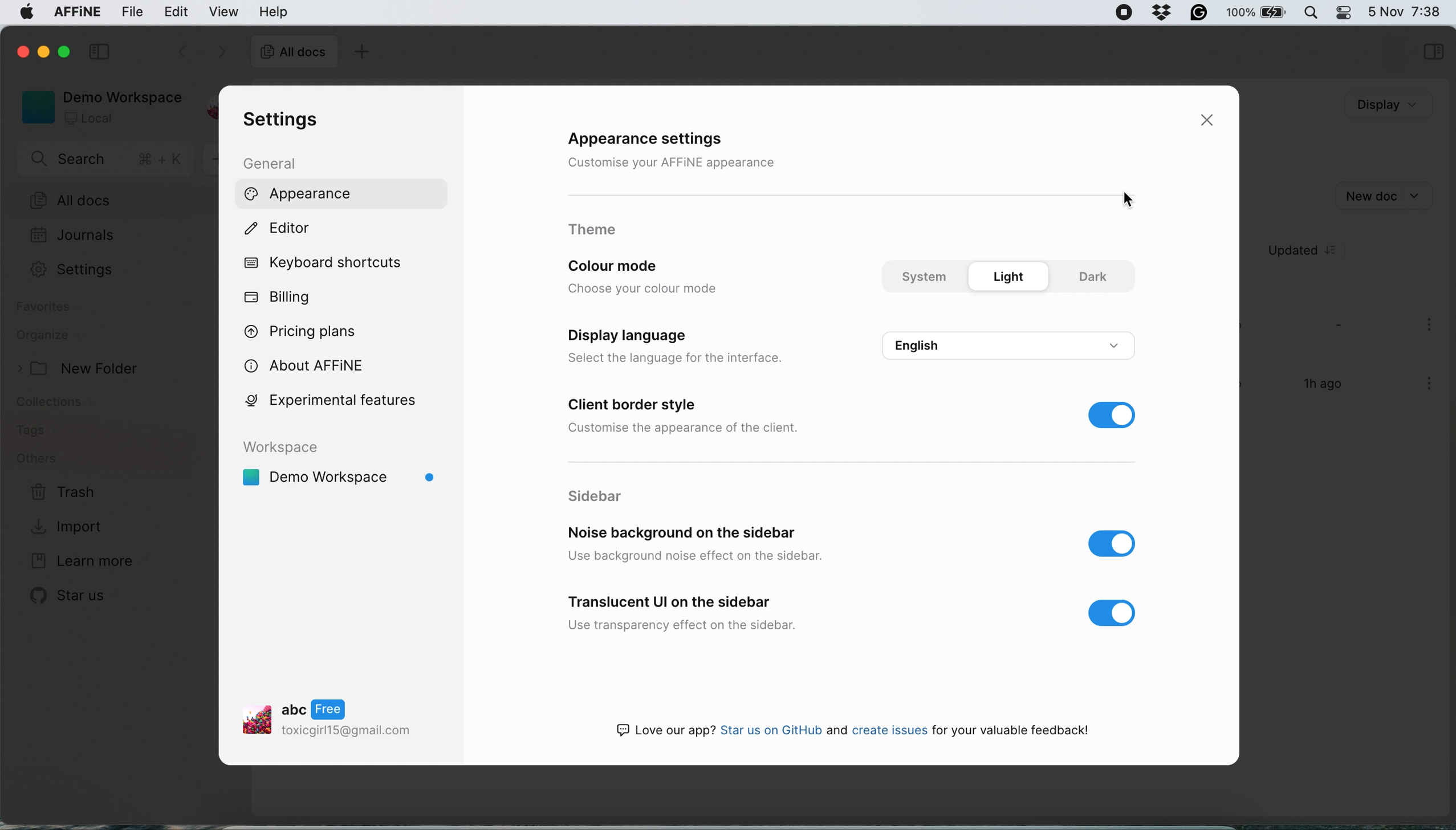 This screenshot has height=830, width=1456. I want to click on learn more, so click(86, 563).